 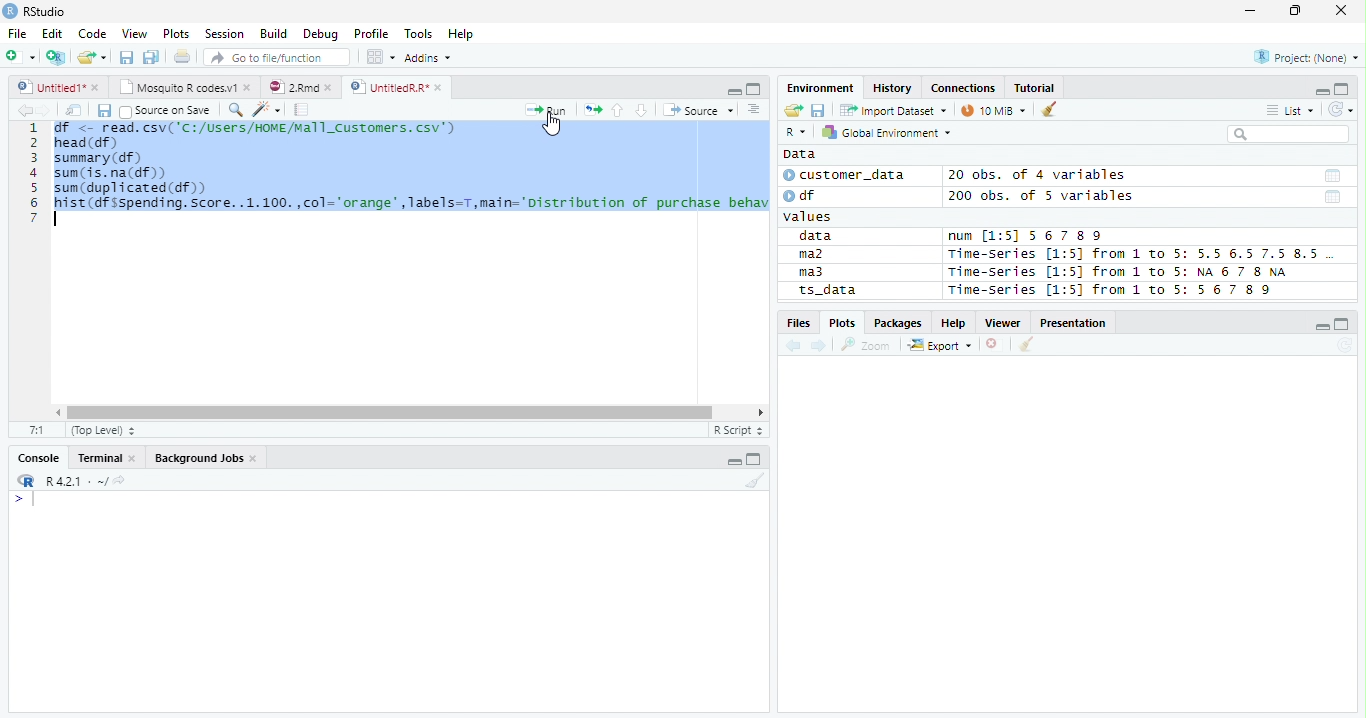 What do you see at coordinates (995, 345) in the screenshot?
I see `Delete` at bounding box center [995, 345].